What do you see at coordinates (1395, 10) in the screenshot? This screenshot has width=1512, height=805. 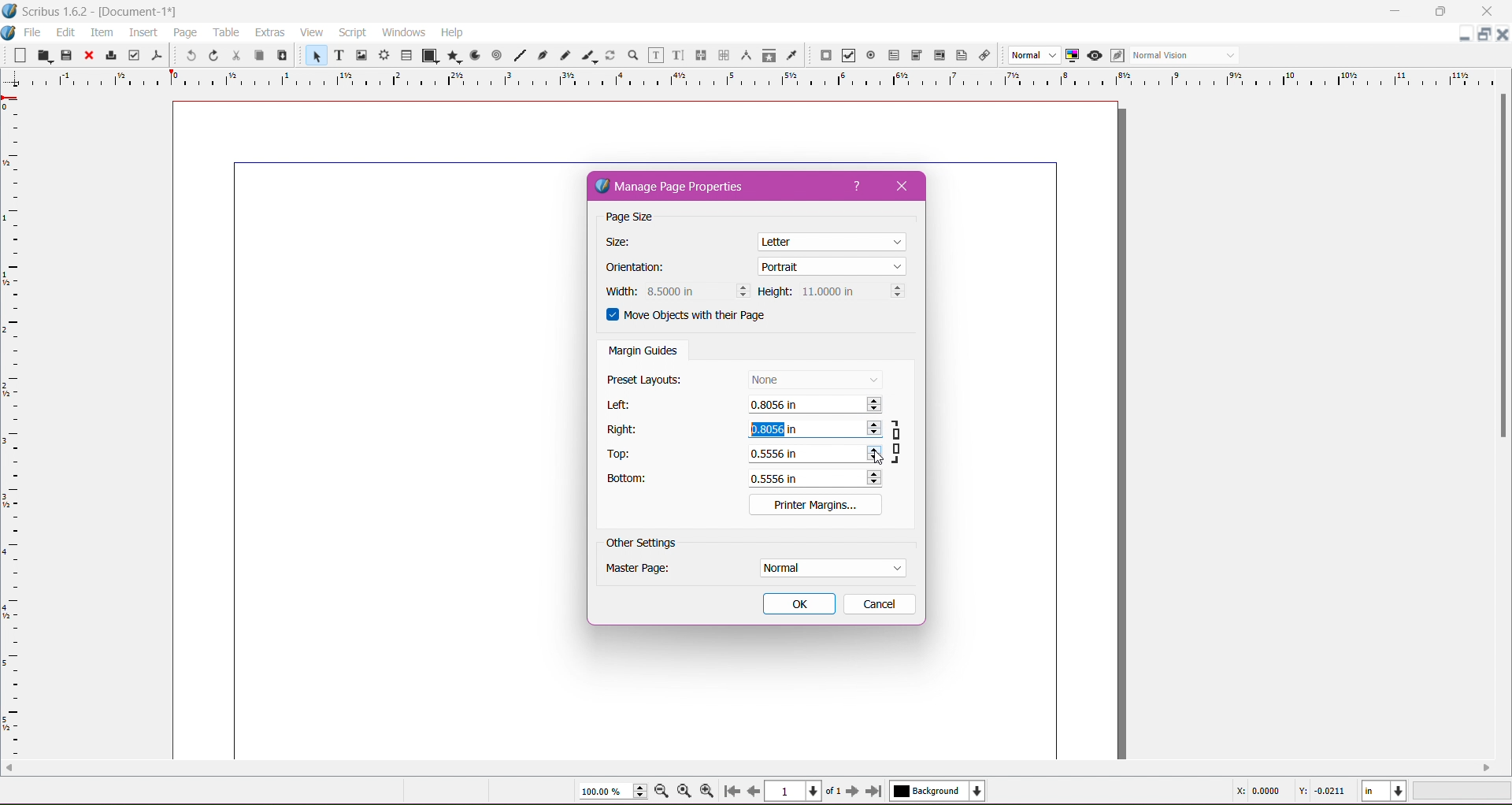 I see `Minimize` at bounding box center [1395, 10].